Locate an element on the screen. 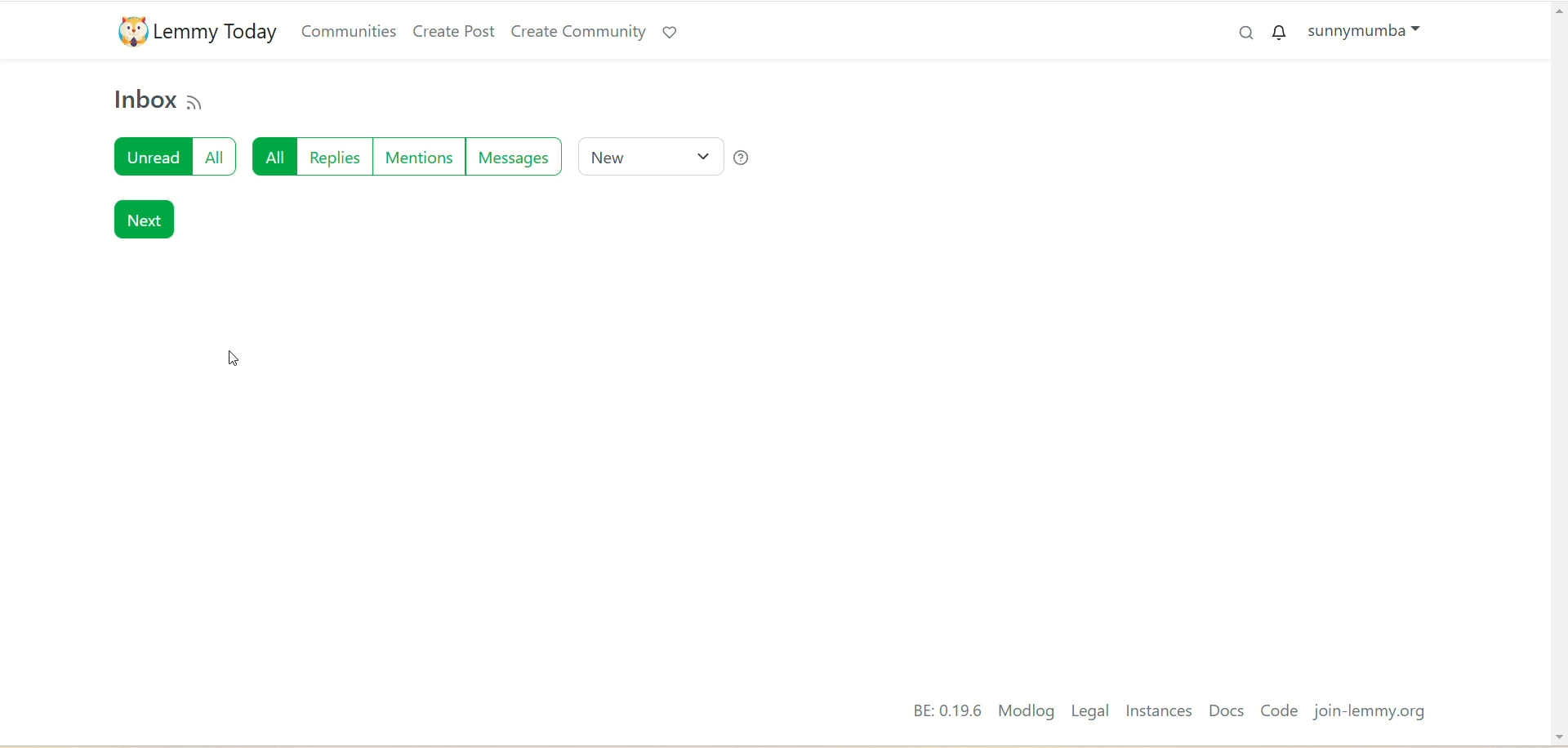 The width and height of the screenshot is (1568, 748). create community is located at coordinates (574, 32).